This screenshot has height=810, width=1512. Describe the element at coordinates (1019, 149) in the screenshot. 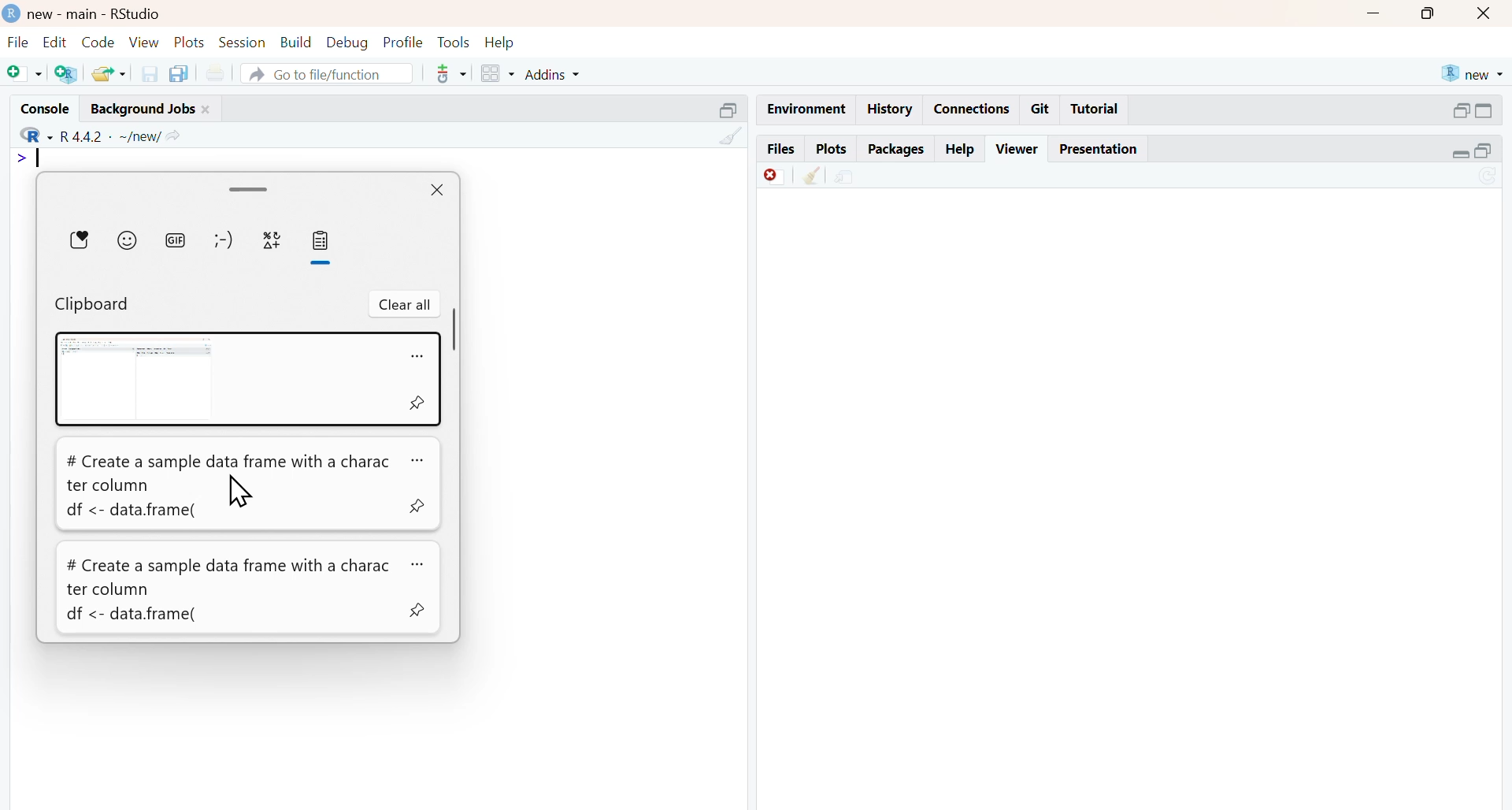

I see `viewer` at that location.